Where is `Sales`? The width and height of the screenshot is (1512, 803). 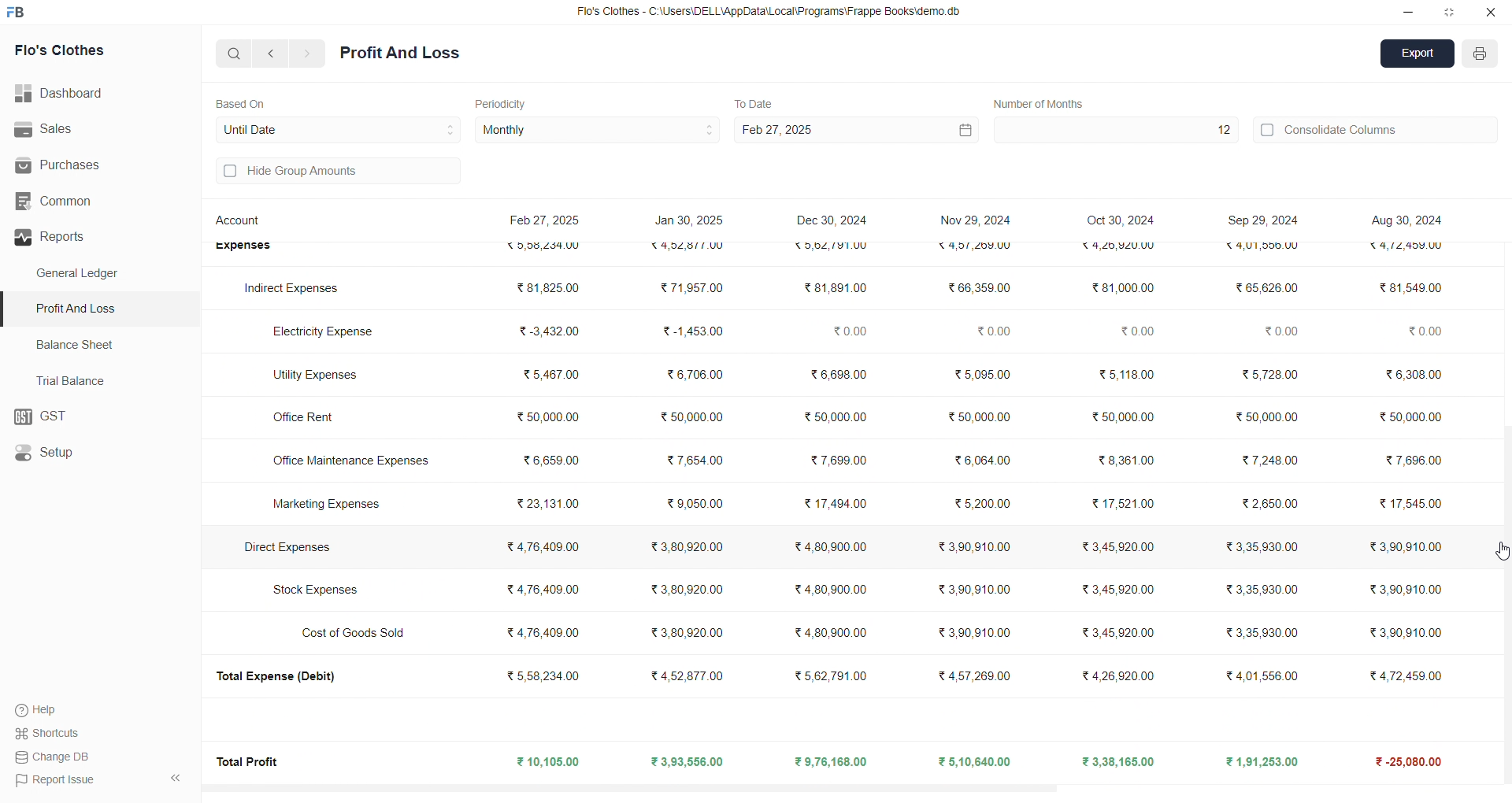 Sales is located at coordinates (90, 130).